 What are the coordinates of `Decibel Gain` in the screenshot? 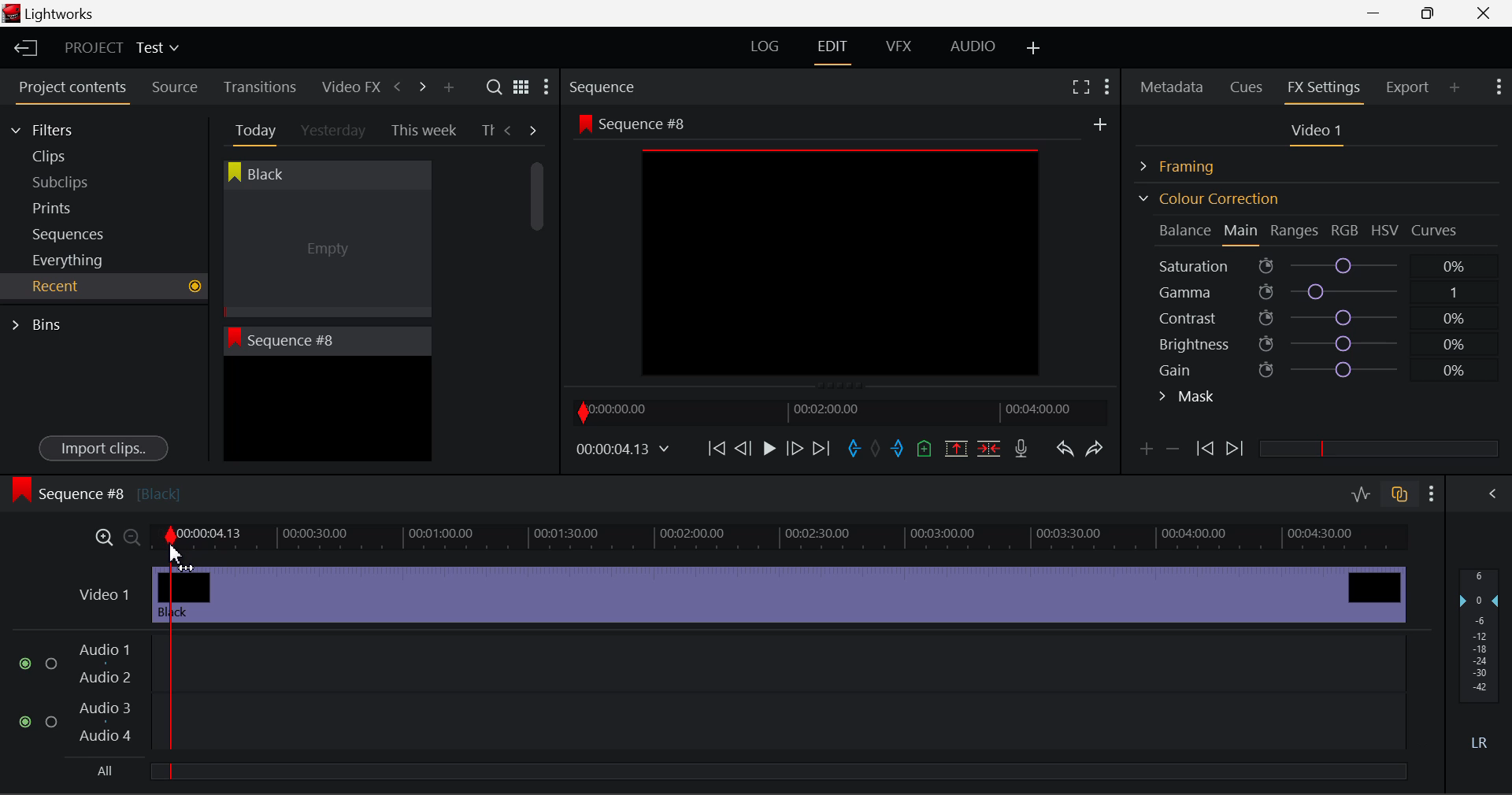 It's located at (1478, 663).